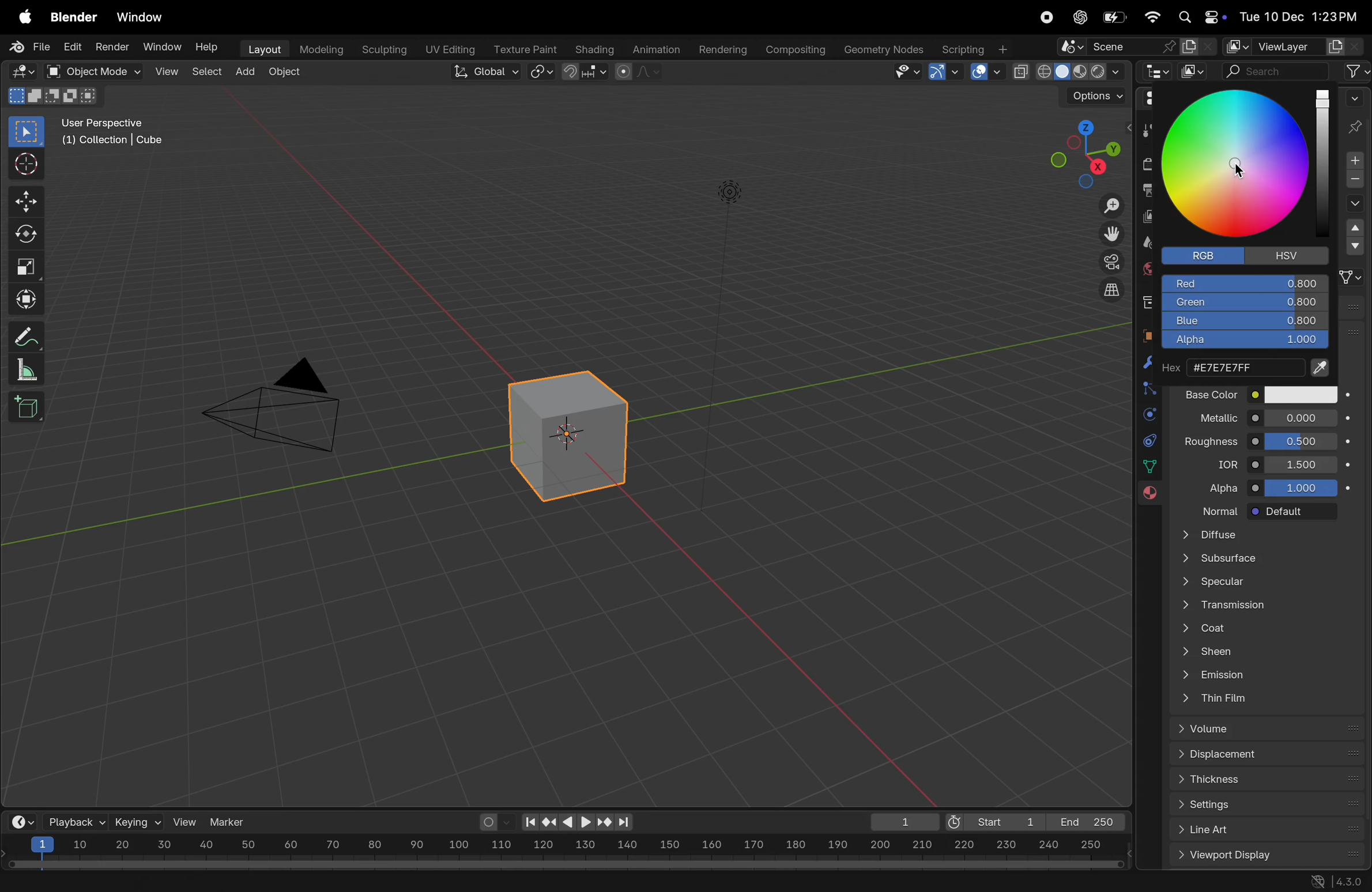 Image resolution: width=1372 pixels, height=892 pixels. Describe the element at coordinates (1141, 365) in the screenshot. I see `modifiers` at that location.